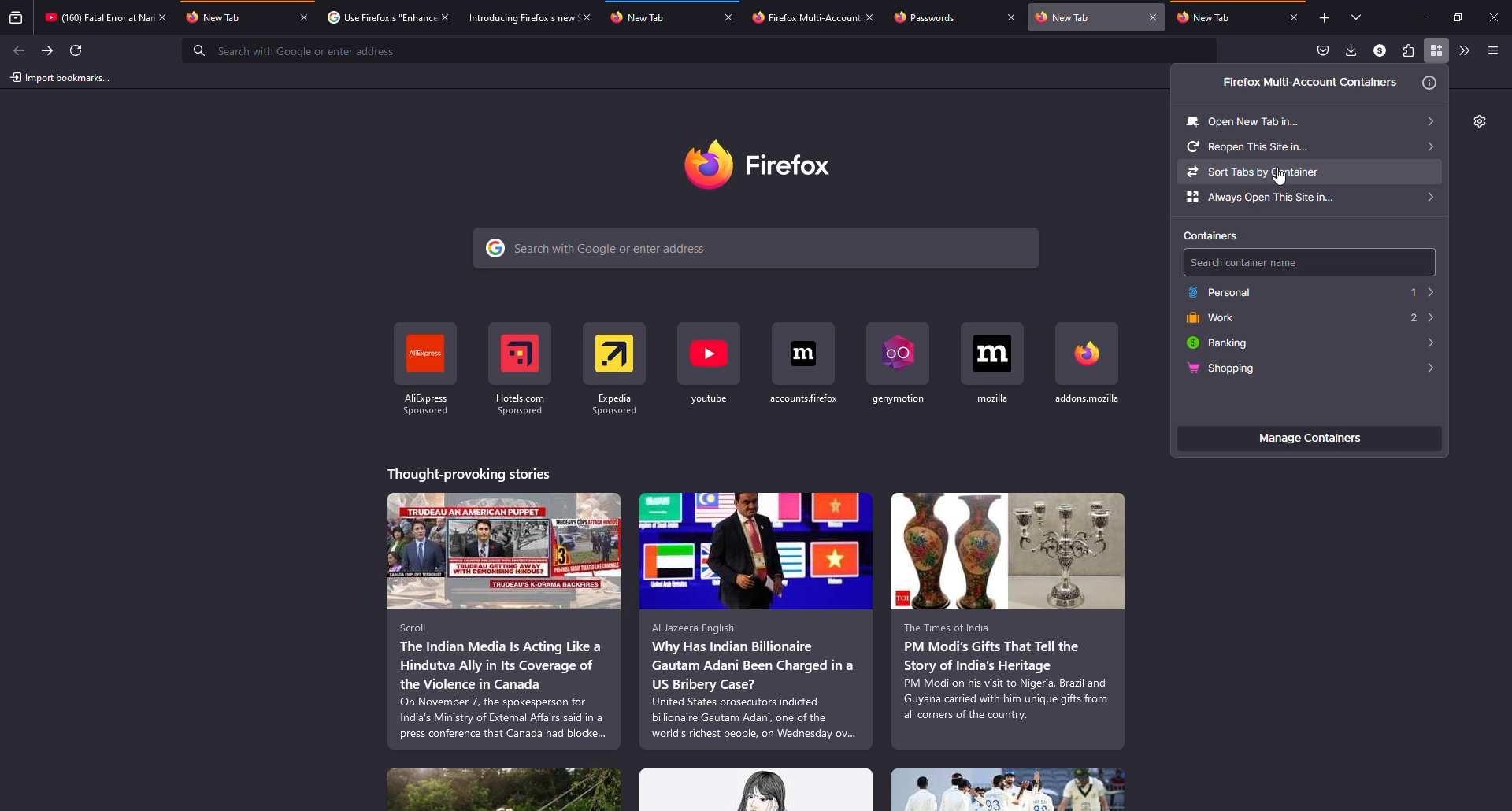  Describe the element at coordinates (1311, 119) in the screenshot. I see `open new tab in` at that location.